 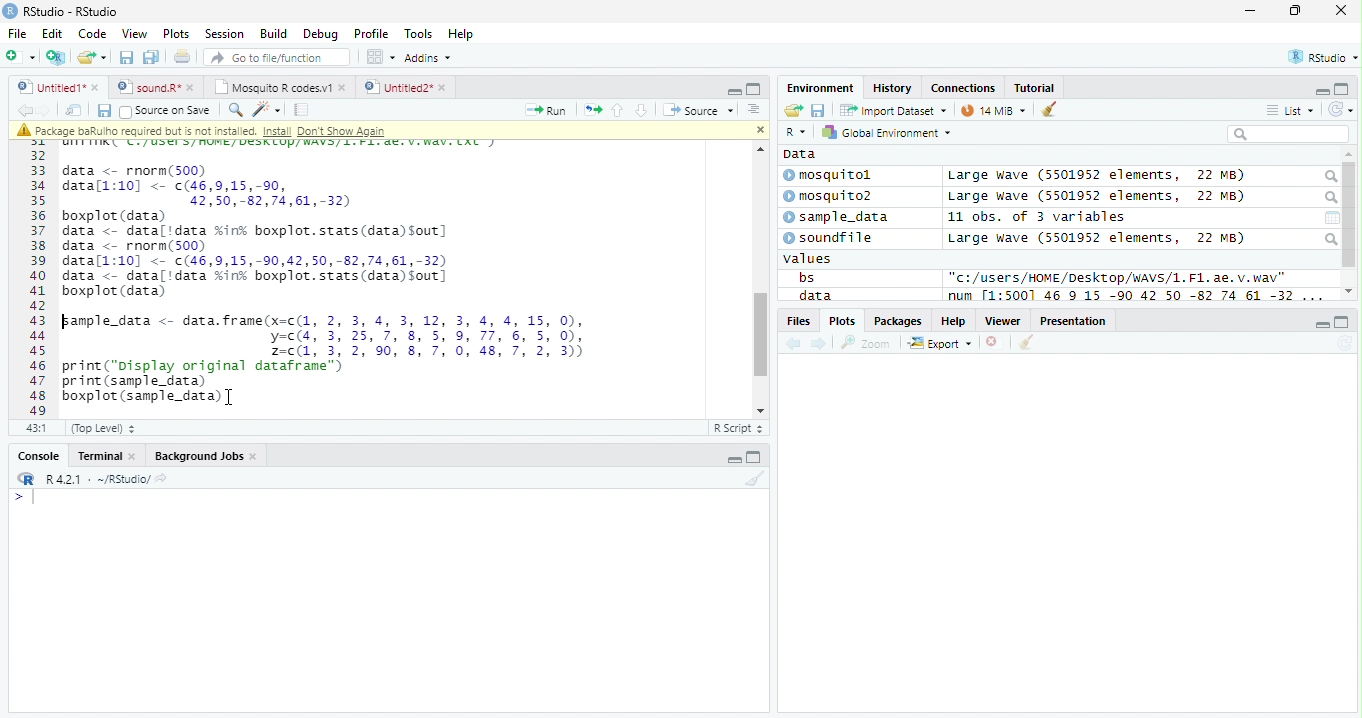 I want to click on code tools, so click(x=267, y=110).